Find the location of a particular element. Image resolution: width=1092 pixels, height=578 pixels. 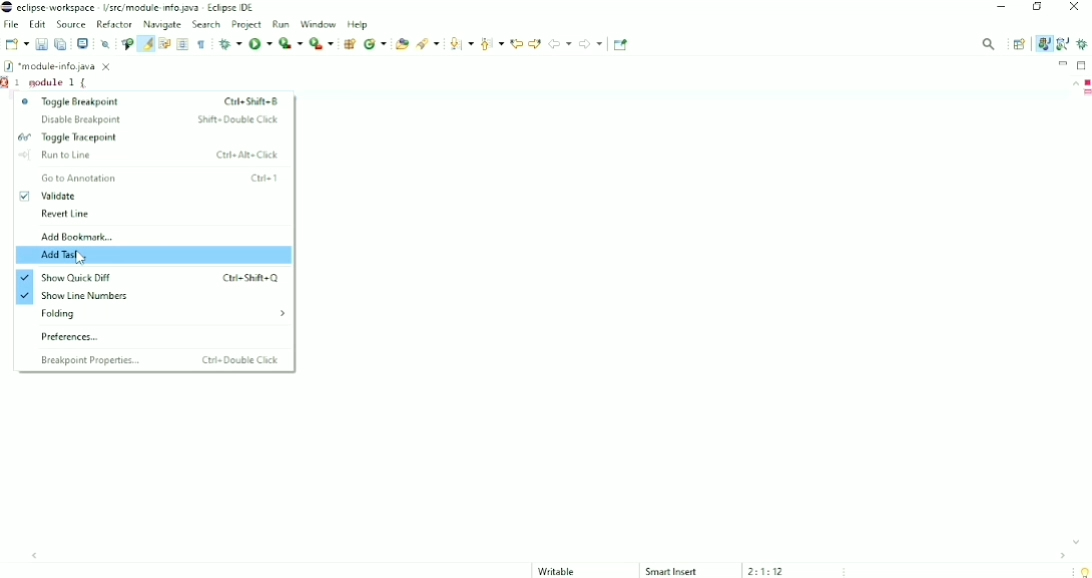

Horizontal scrollbar is located at coordinates (551, 555).